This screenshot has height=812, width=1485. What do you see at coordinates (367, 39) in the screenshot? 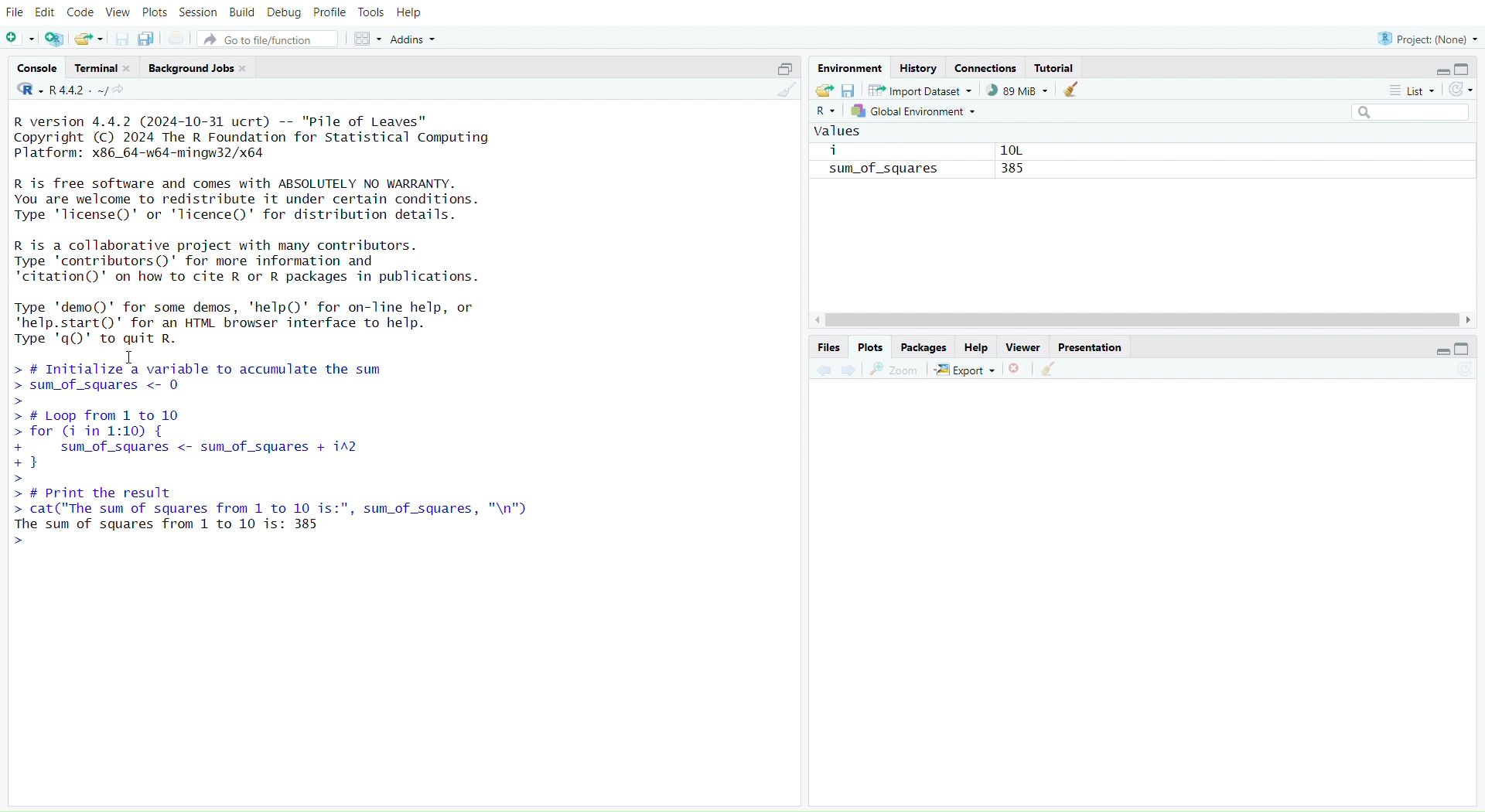
I see `workspace panes` at bounding box center [367, 39].